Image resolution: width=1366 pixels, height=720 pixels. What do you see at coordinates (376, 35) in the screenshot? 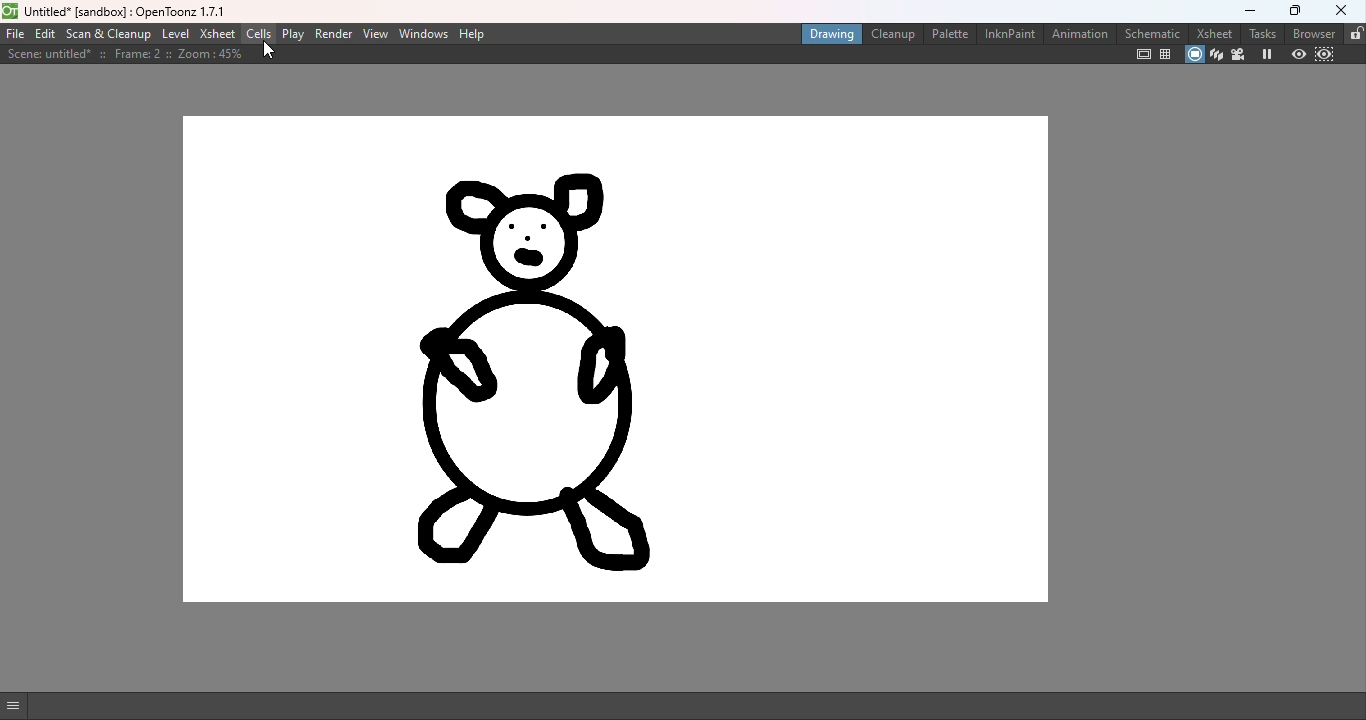
I see `View` at bounding box center [376, 35].